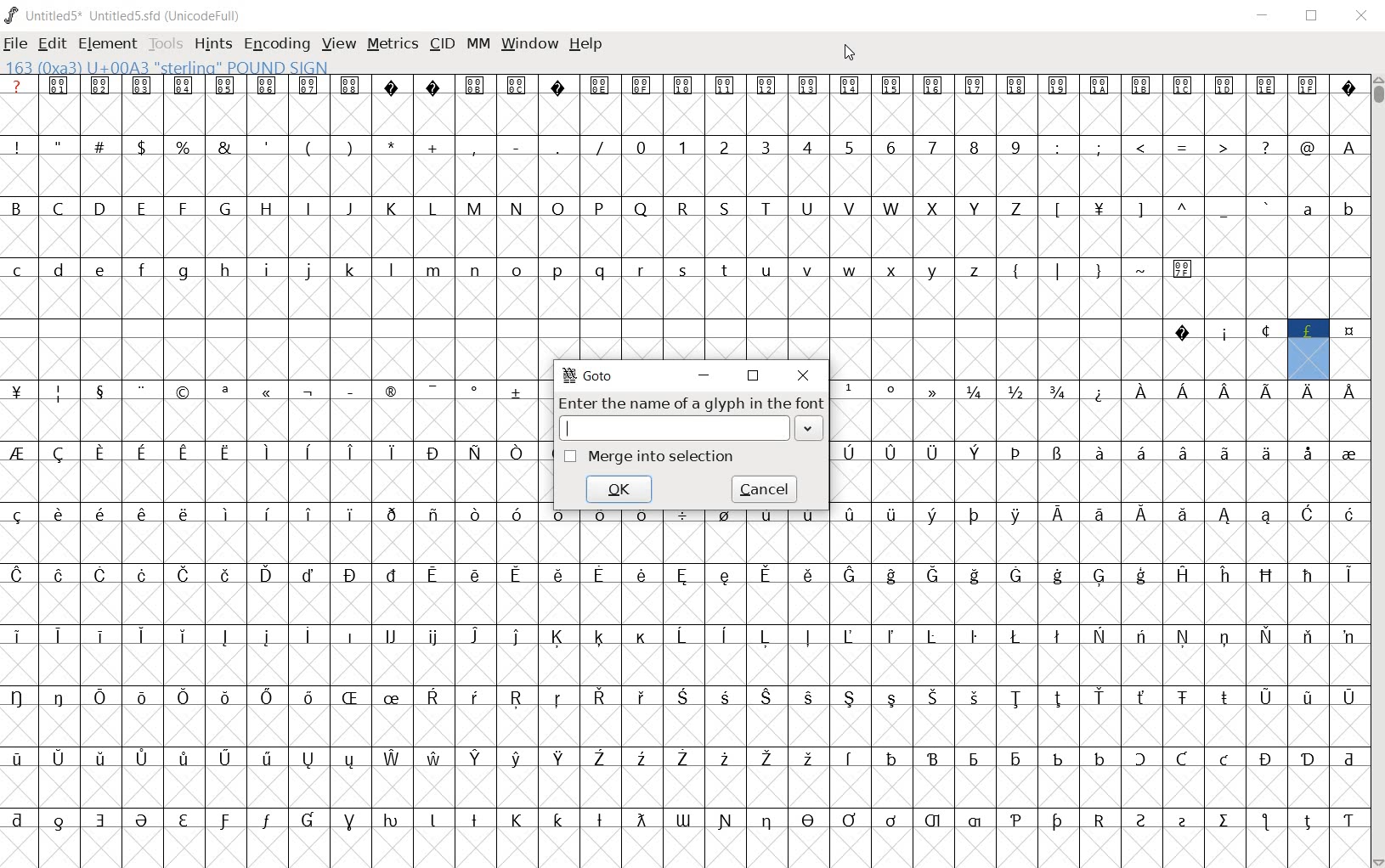 This screenshot has height=868, width=1385. What do you see at coordinates (52, 45) in the screenshot?
I see `EDIT` at bounding box center [52, 45].